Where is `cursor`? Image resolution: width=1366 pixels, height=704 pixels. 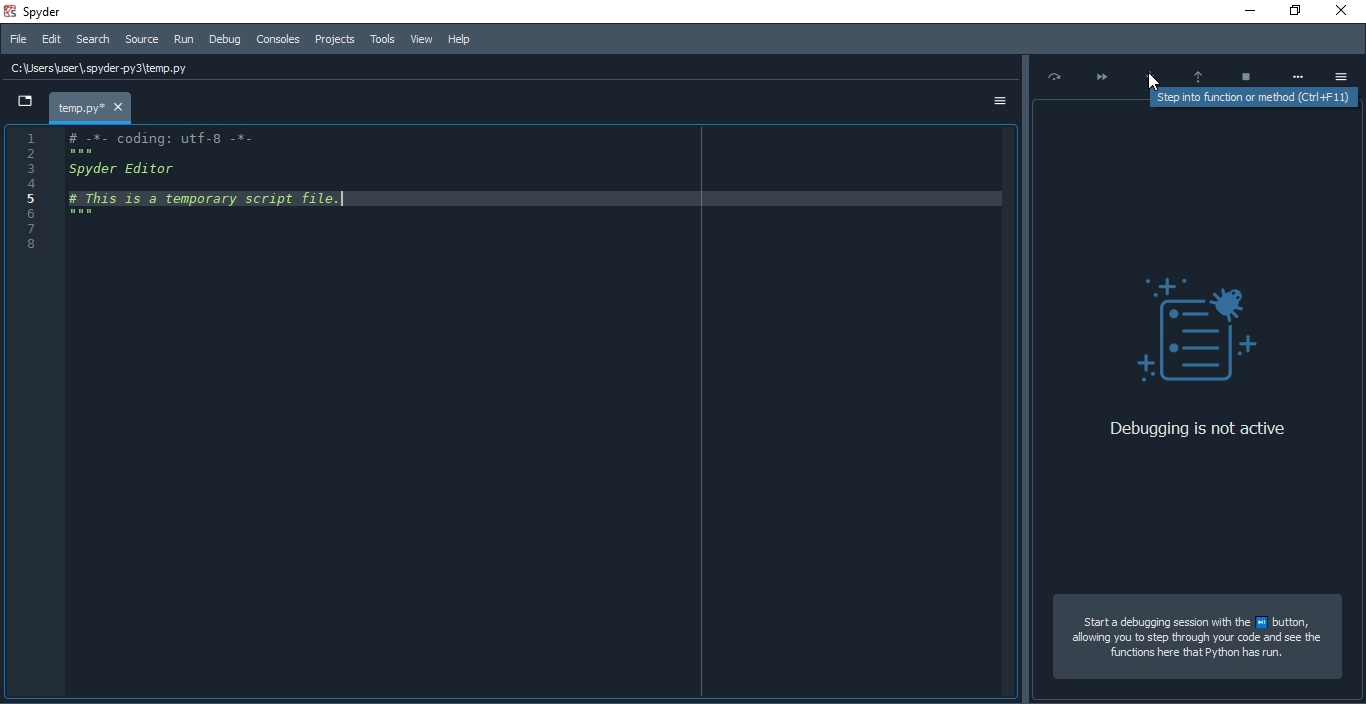 cursor is located at coordinates (1153, 81).